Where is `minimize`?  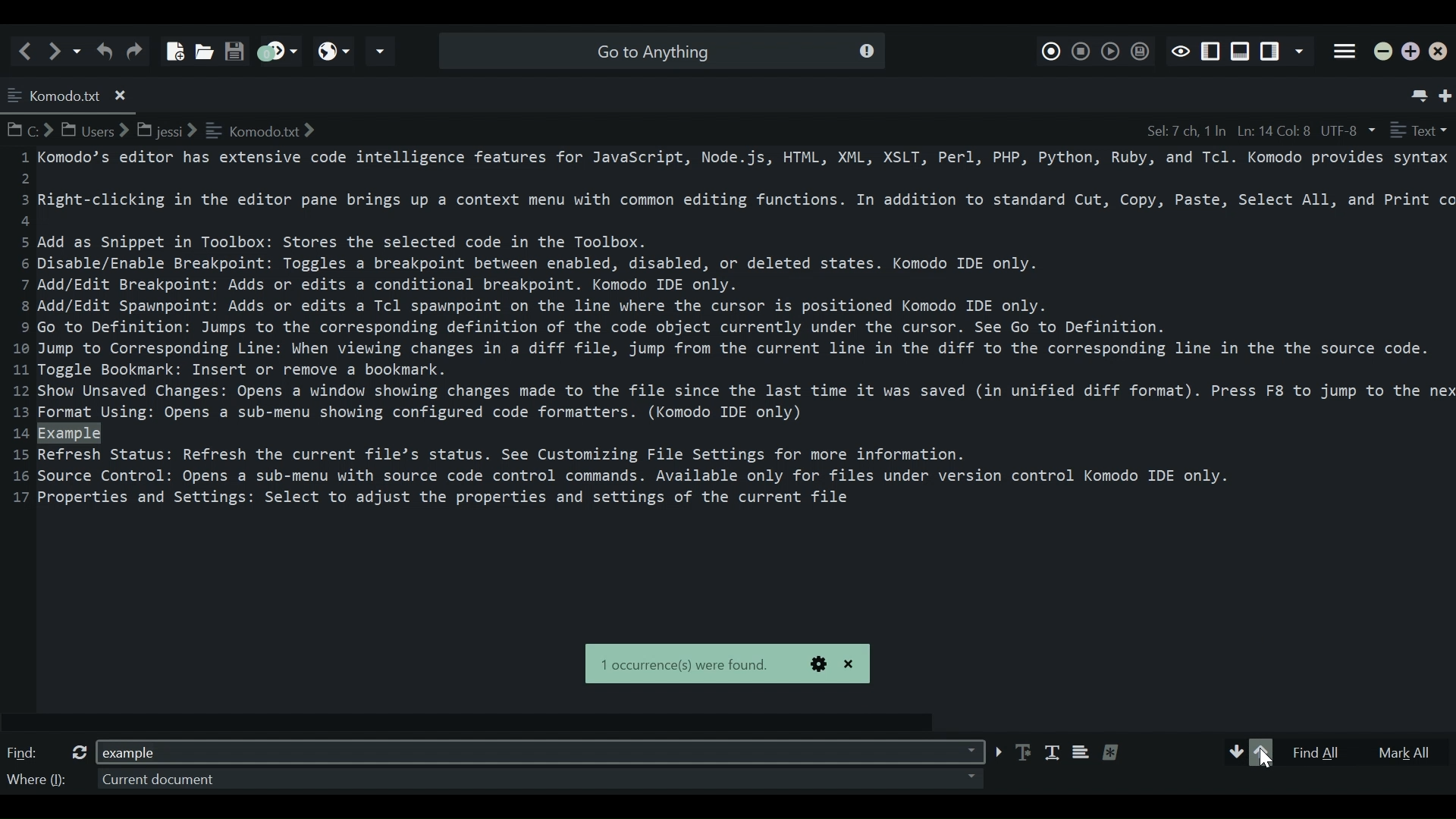 minimize is located at coordinates (1384, 53).